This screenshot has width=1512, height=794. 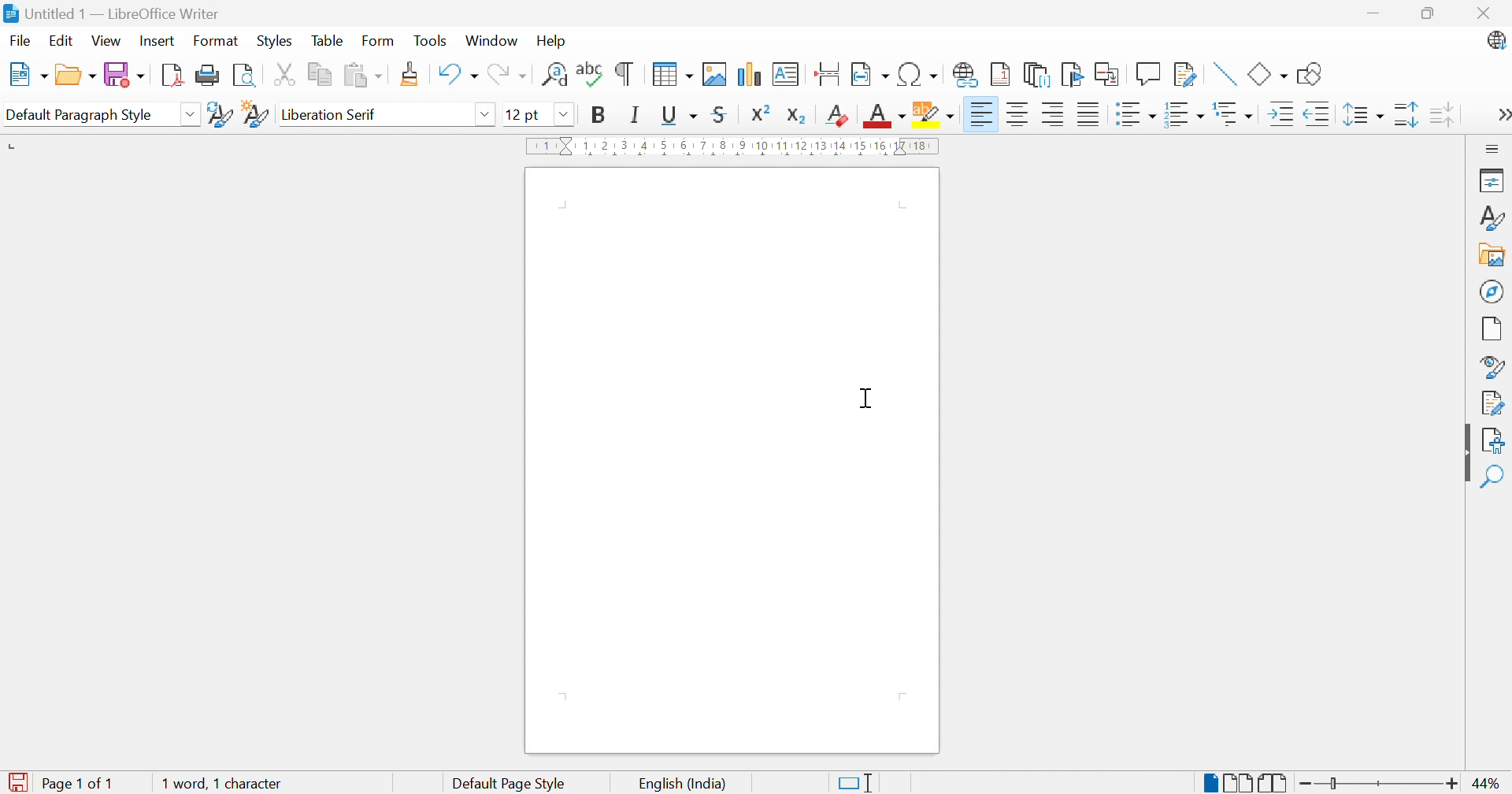 What do you see at coordinates (737, 147) in the screenshot?
I see `Ruler` at bounding box center [737, 147].